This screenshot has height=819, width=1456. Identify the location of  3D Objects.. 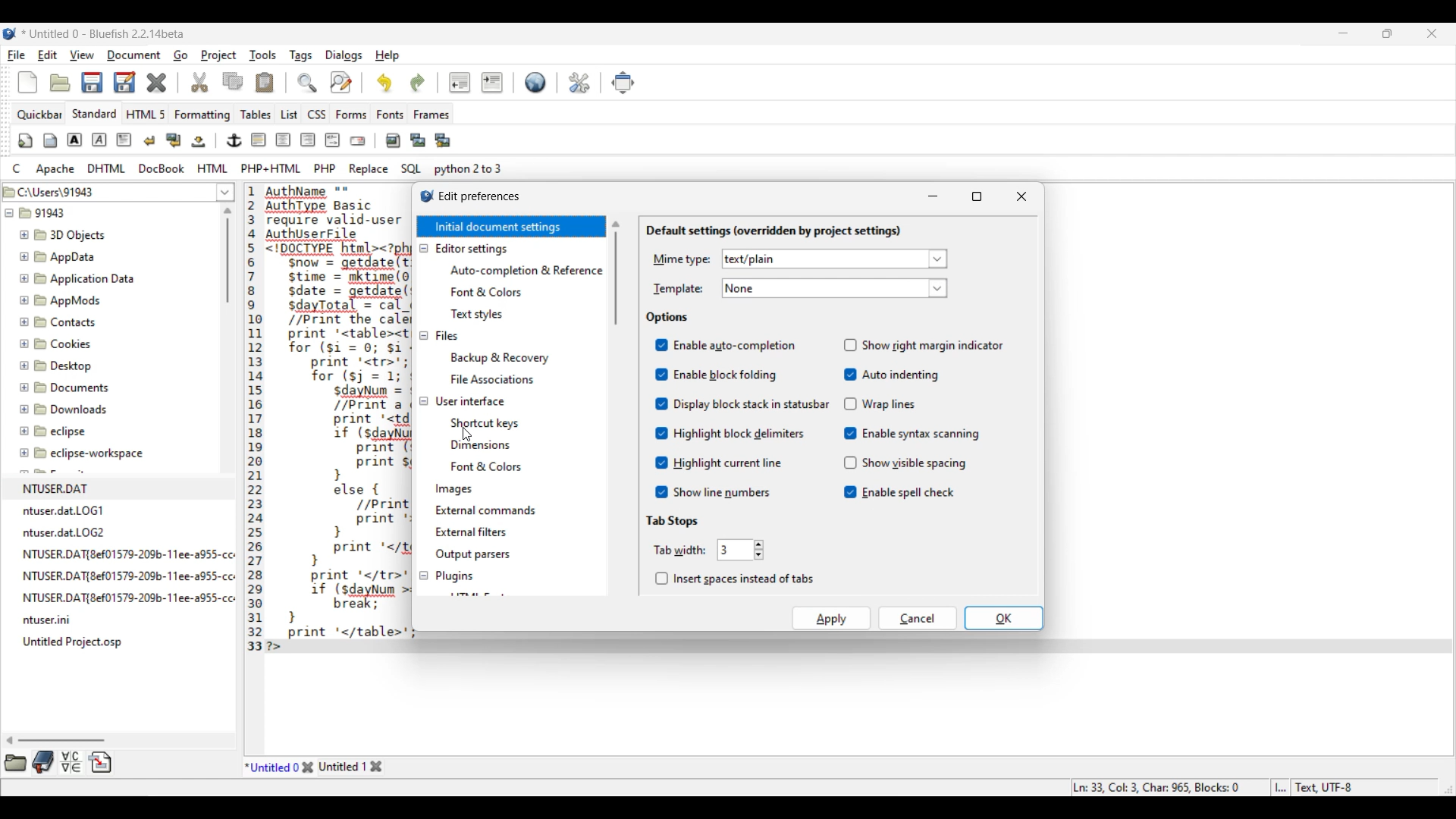
(64, 236).